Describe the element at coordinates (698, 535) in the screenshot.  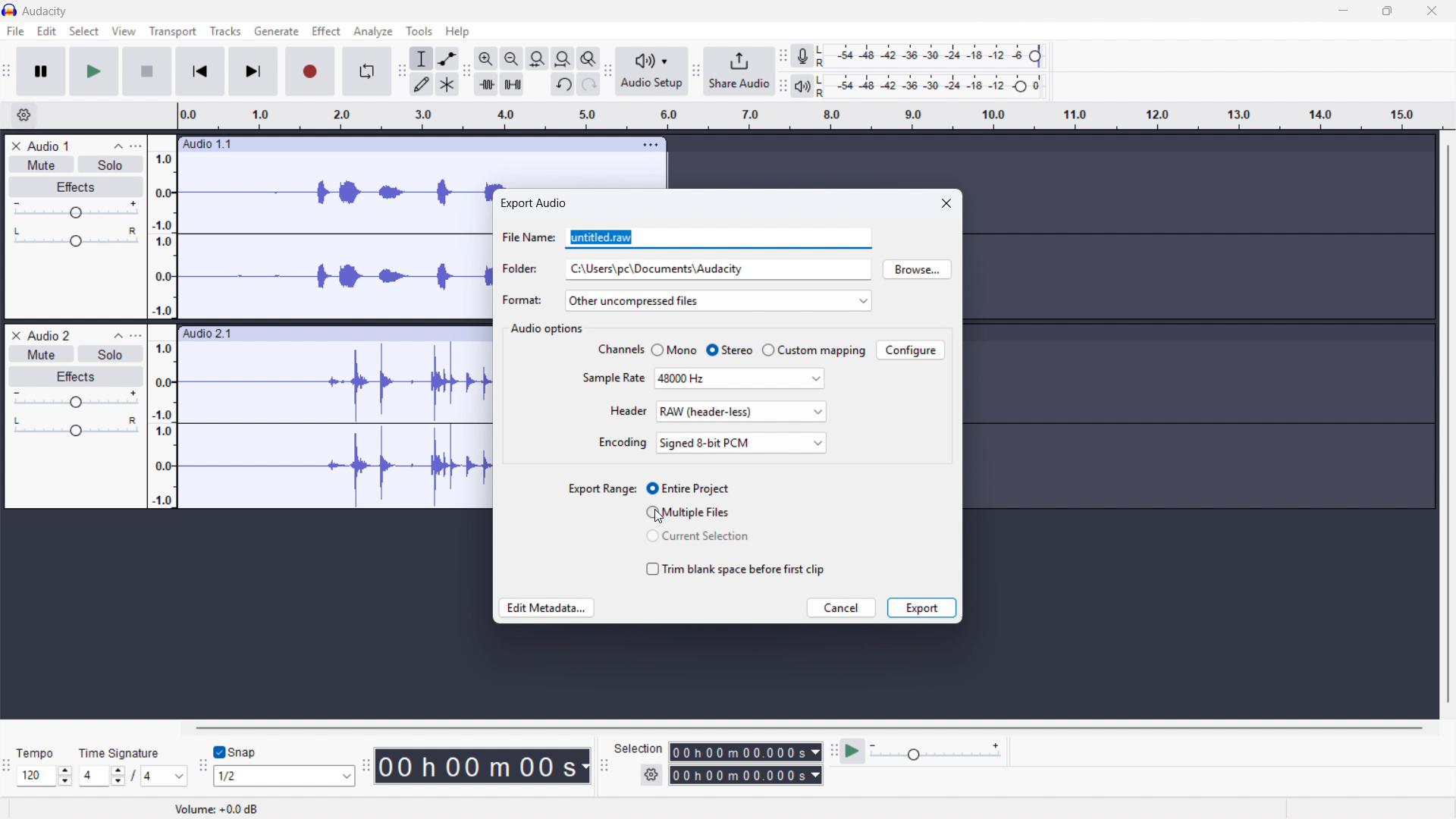
I see `Current selection` at that location.